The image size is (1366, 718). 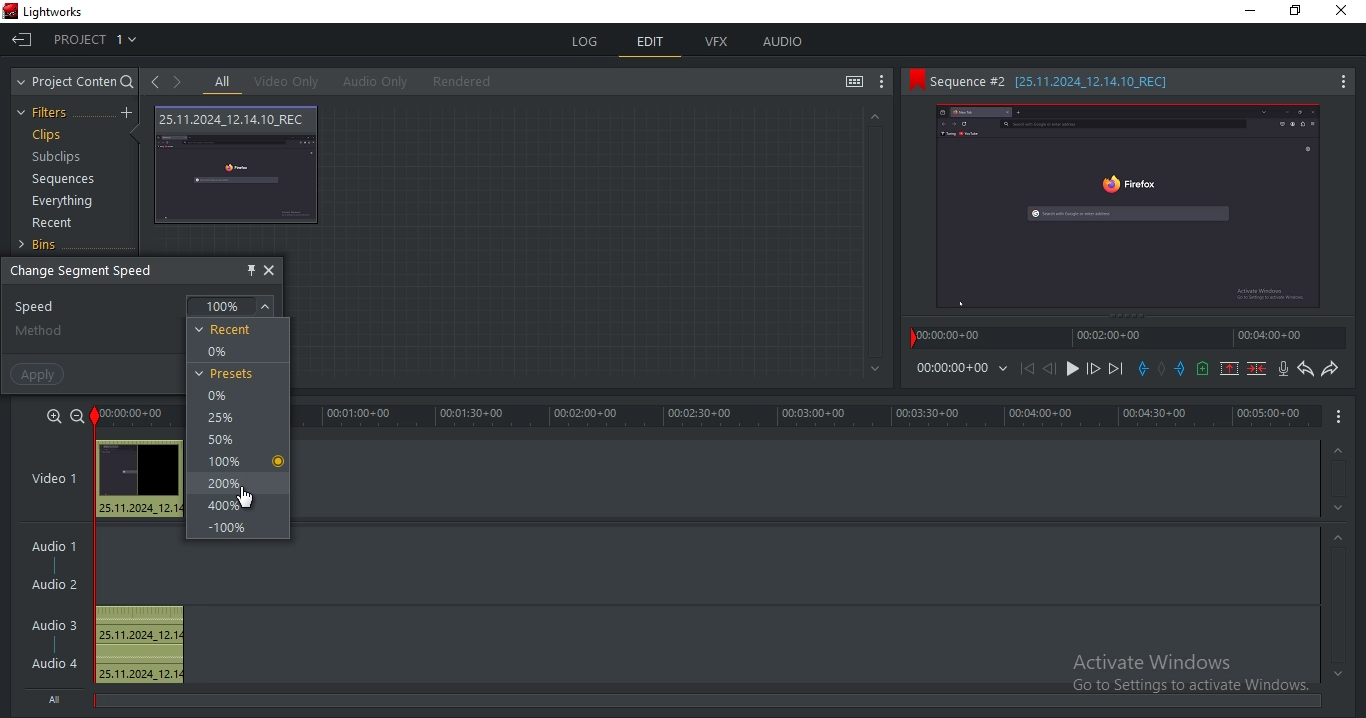 I want to click on exit project and return to project browser, so click(x=22, y=42).